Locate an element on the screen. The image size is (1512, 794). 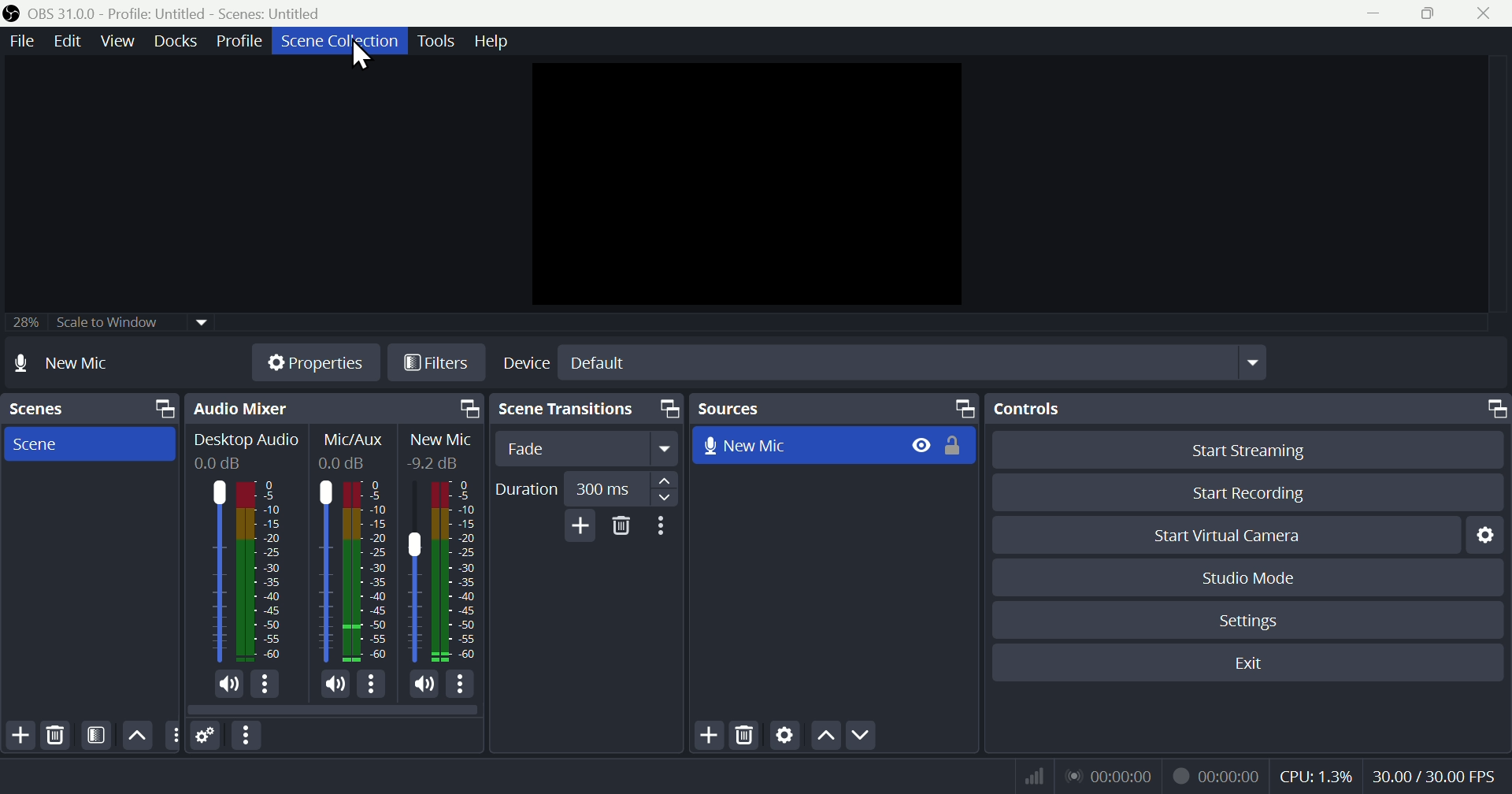
Tools is located at coordinates (437, 44).